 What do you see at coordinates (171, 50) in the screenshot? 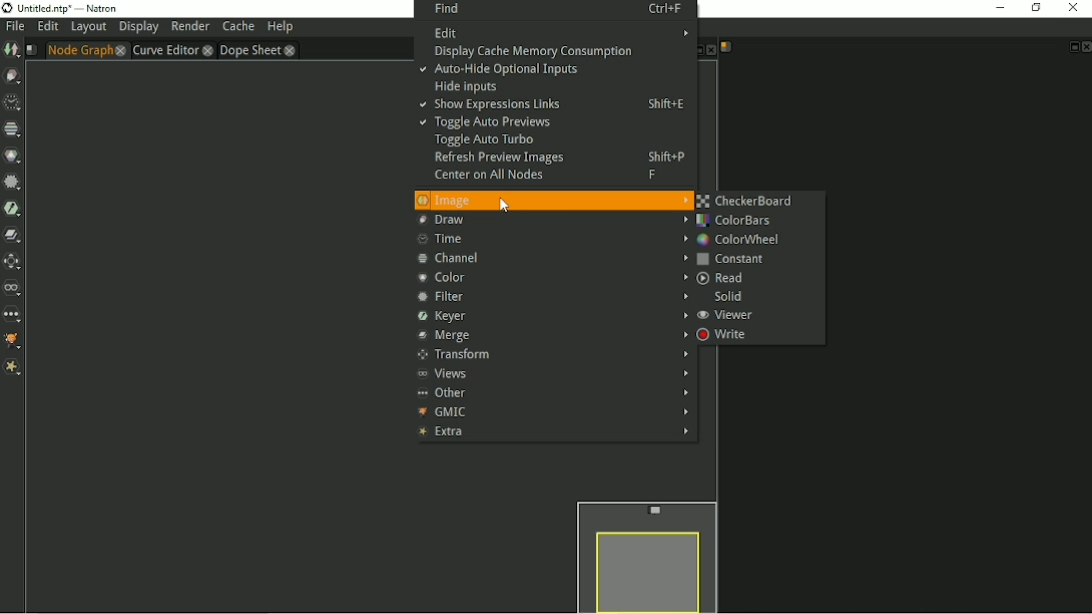
I see `Curve Editor` at bounding box center [171, 50].